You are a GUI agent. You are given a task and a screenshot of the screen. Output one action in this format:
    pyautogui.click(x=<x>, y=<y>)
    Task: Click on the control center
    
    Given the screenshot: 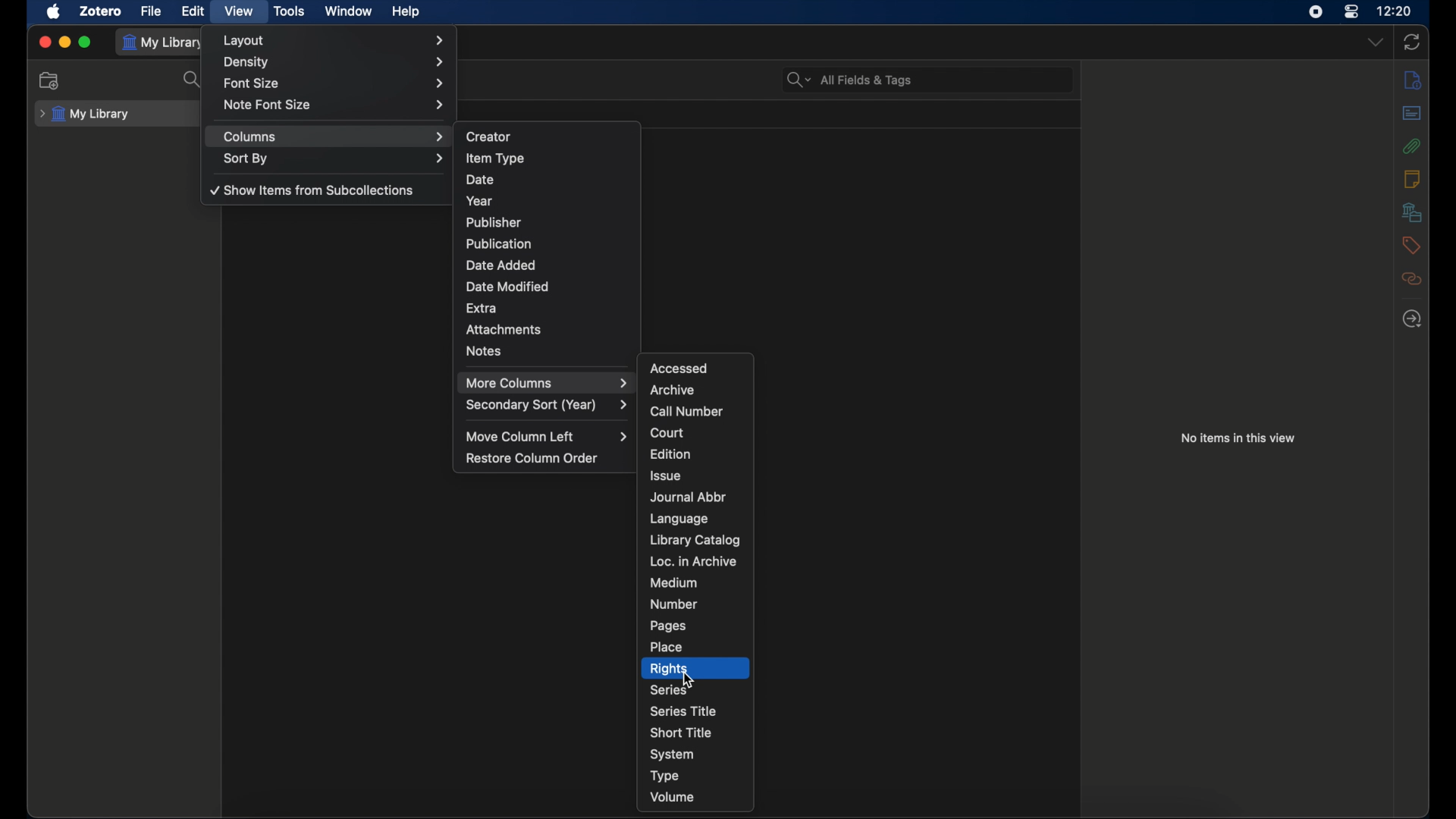 What is the action you would take?
    pyautogui.click(x=1352, y=11)
    